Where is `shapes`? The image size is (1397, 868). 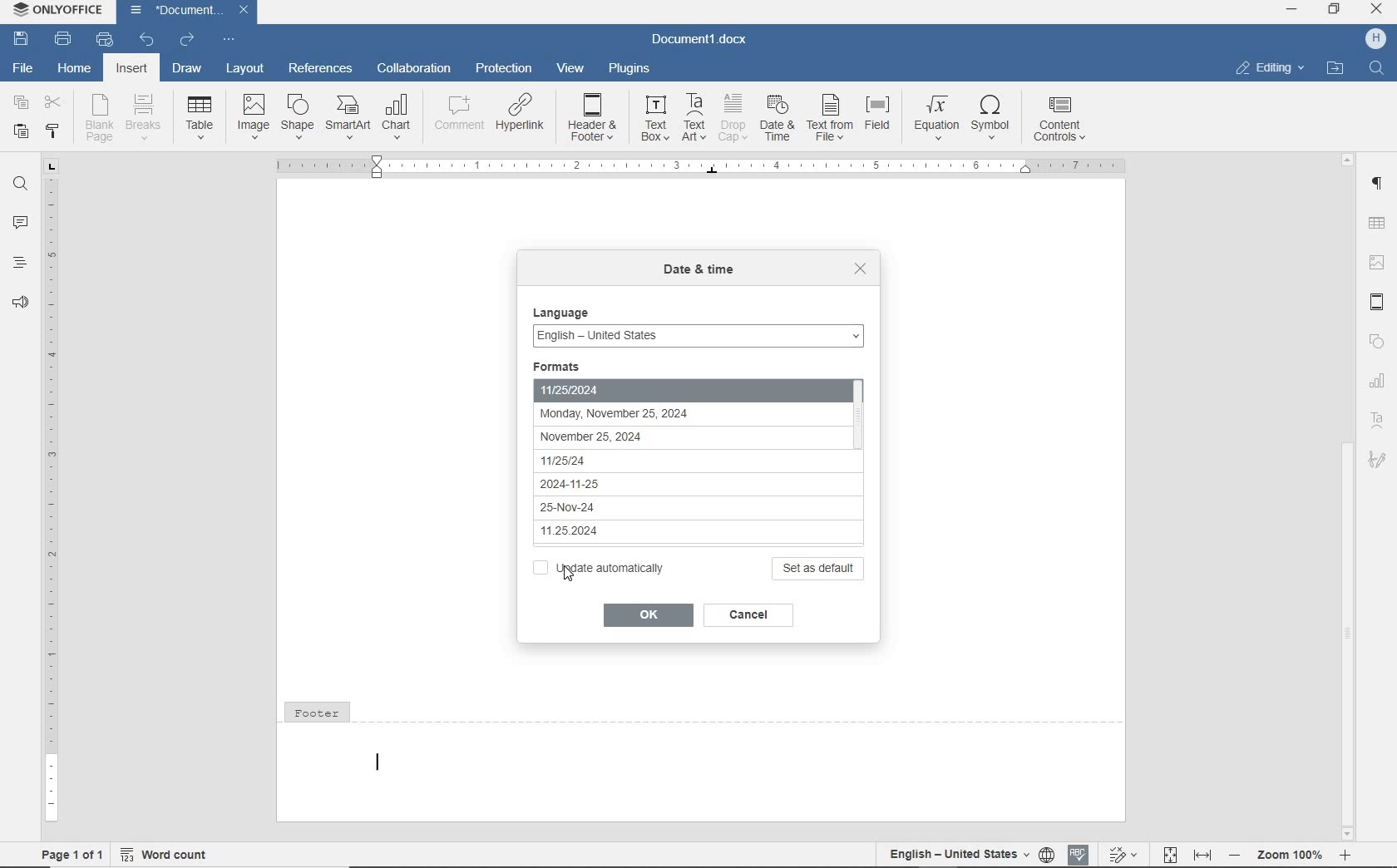
shapes is located at coordinates (1379, 342).